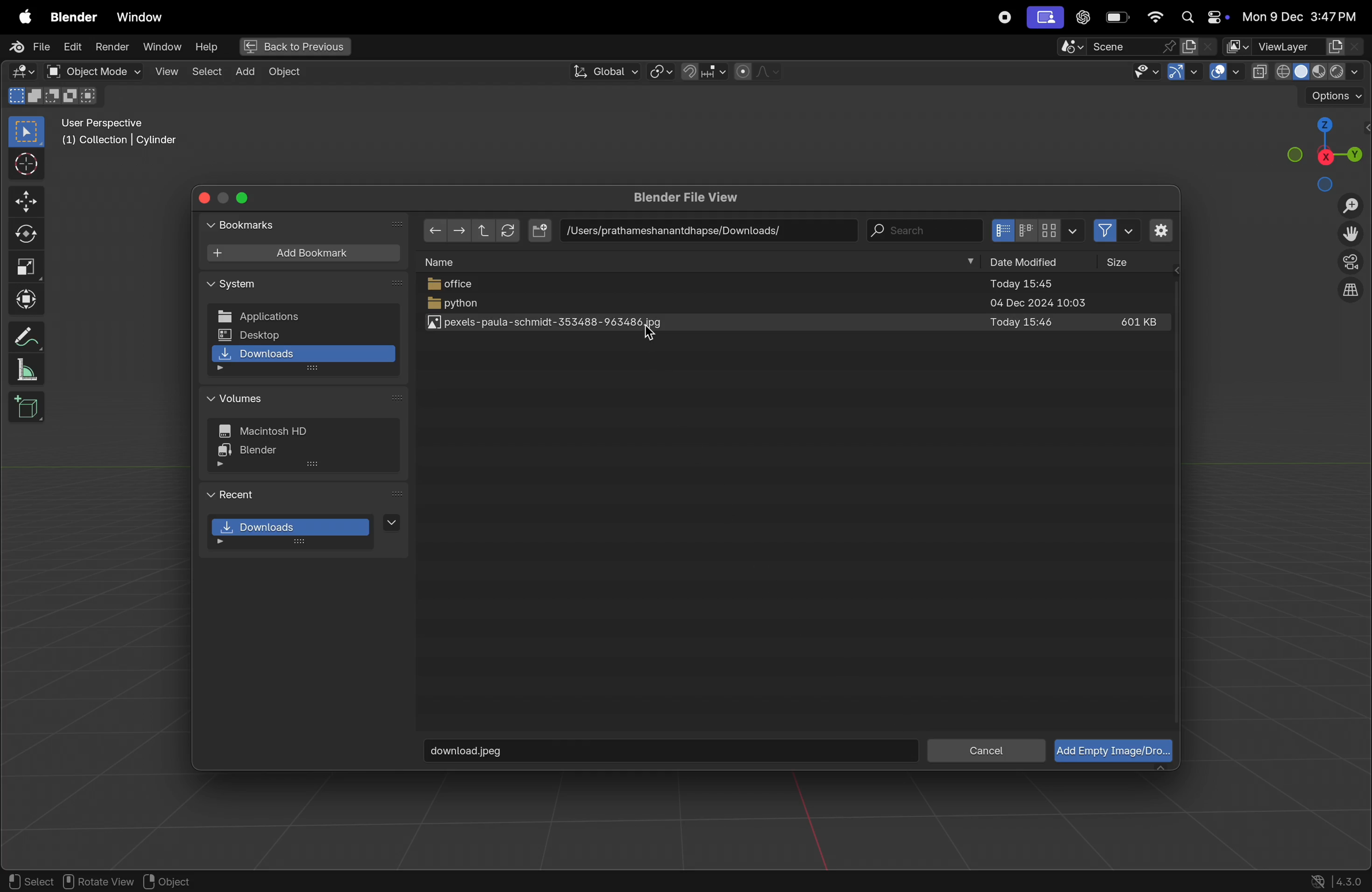 The height and width of the screenshot is (892, 1372). What do you see at coordinates (265, 453) in the screenshot?
I see `blender` at bounding box center [265, 453].